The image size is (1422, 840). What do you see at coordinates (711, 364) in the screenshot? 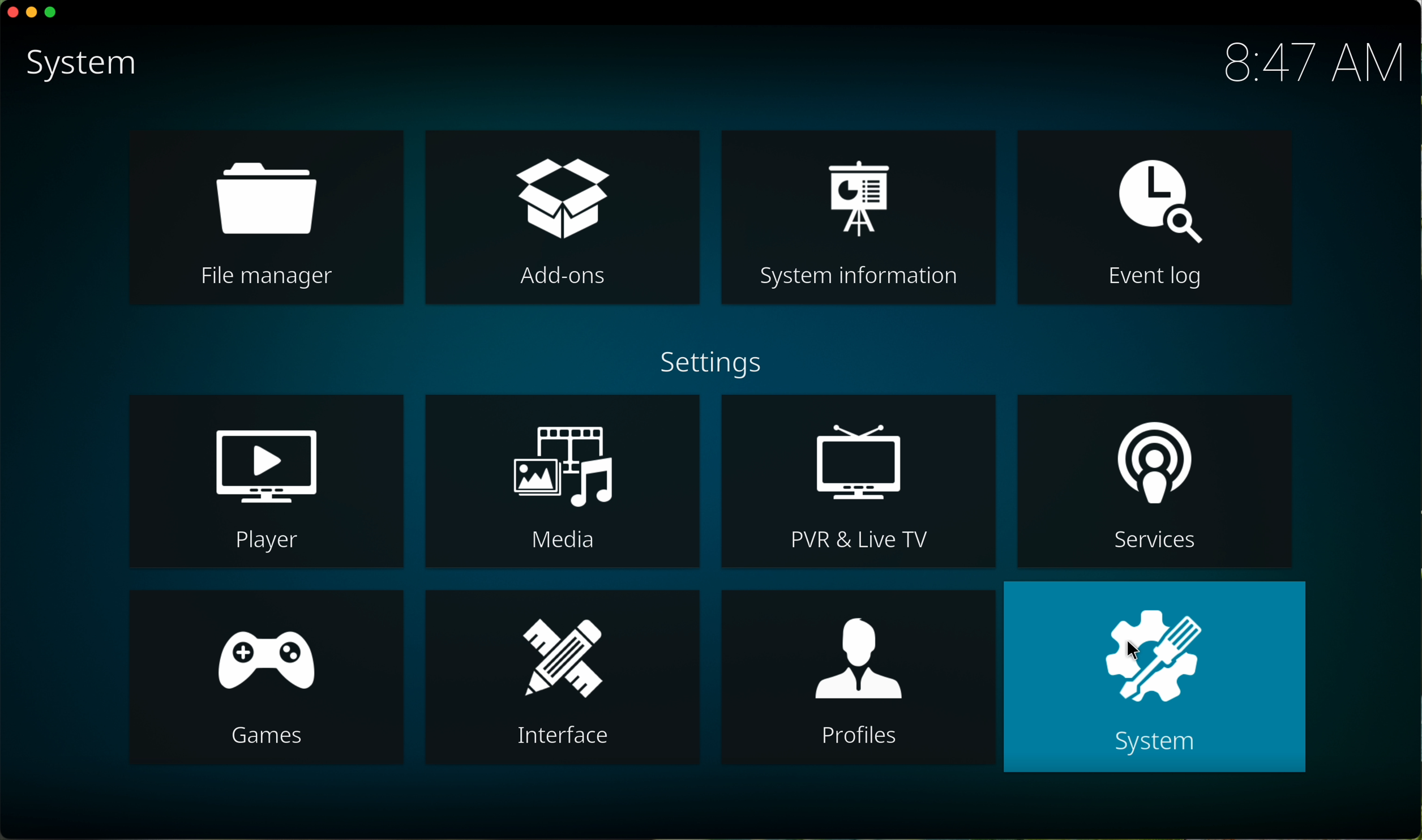
I see `settings` at bounding box center [711, 364].